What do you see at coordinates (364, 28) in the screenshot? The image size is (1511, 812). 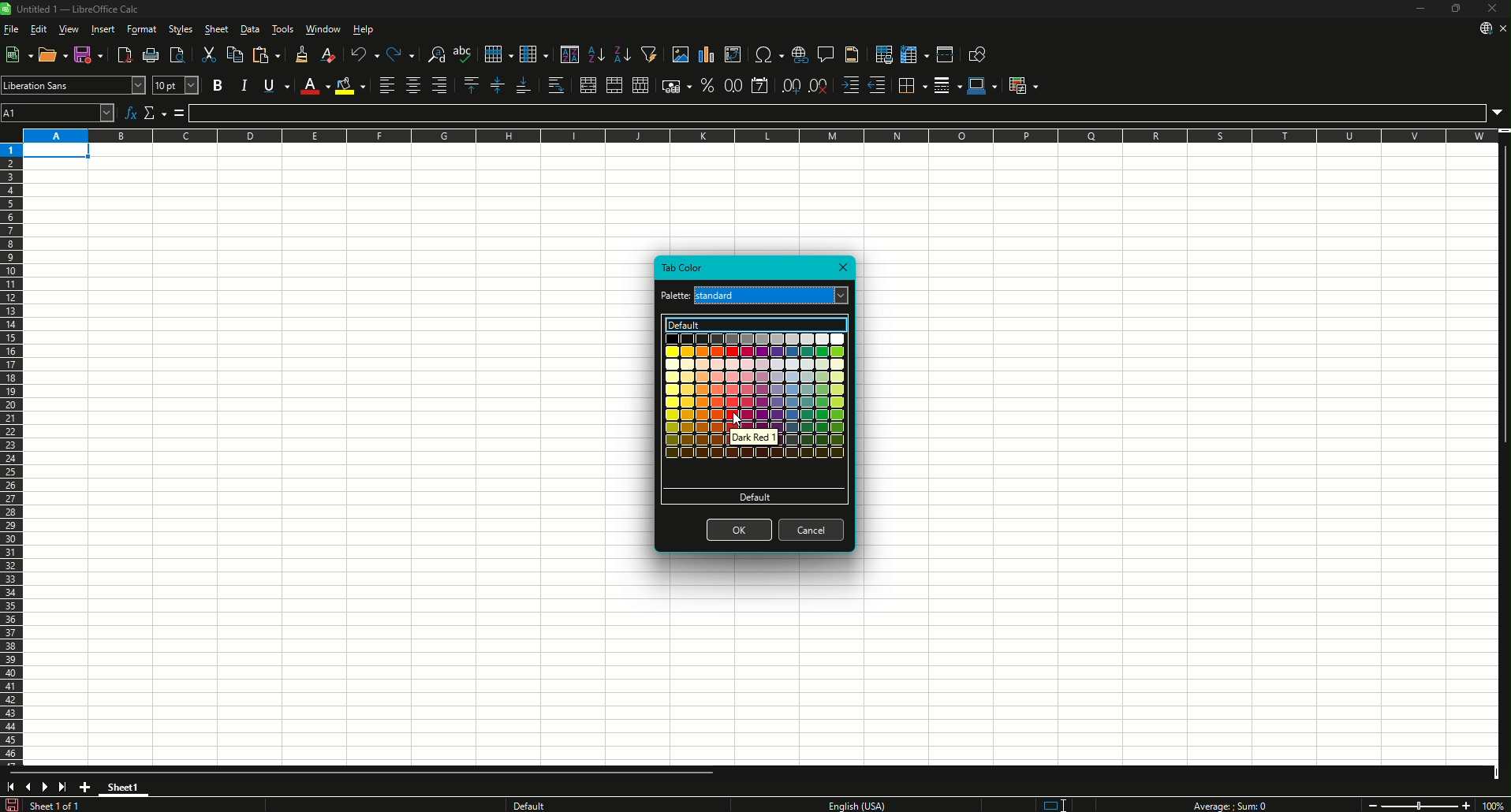 I see `Help` at bounding box center [364, 28].